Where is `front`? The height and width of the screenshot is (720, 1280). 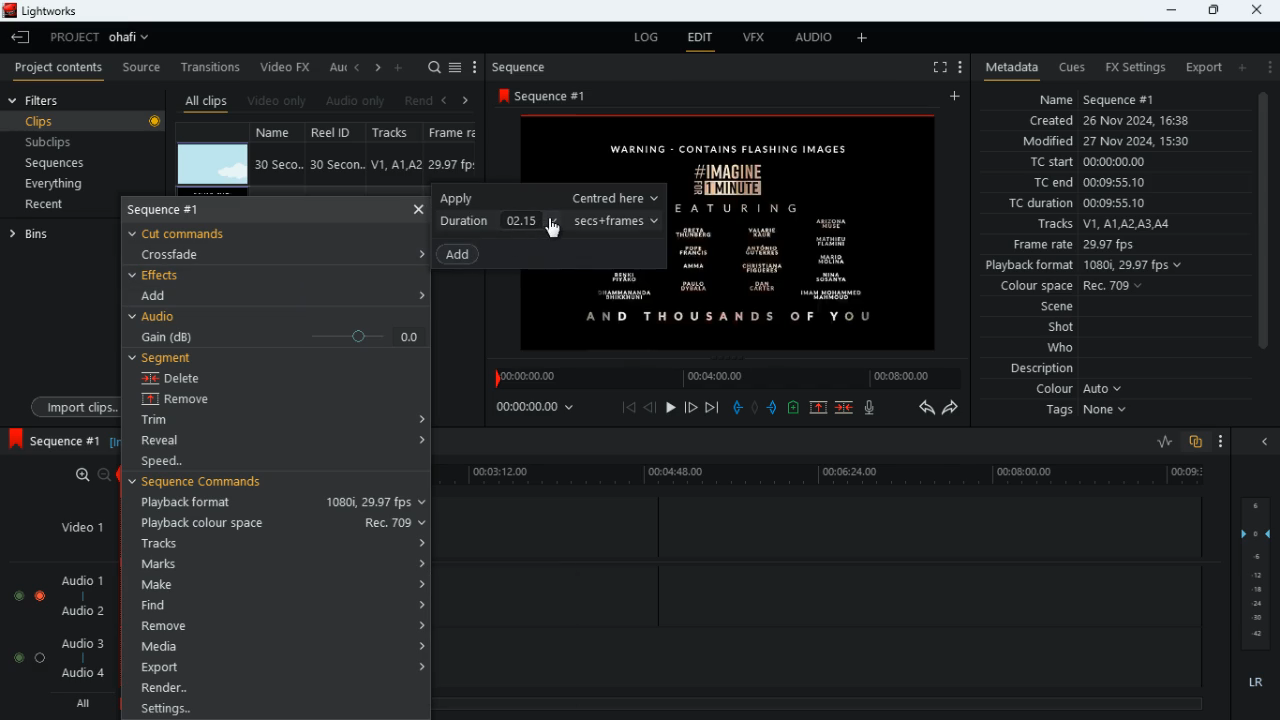 front is located at coordinates (692, 407).